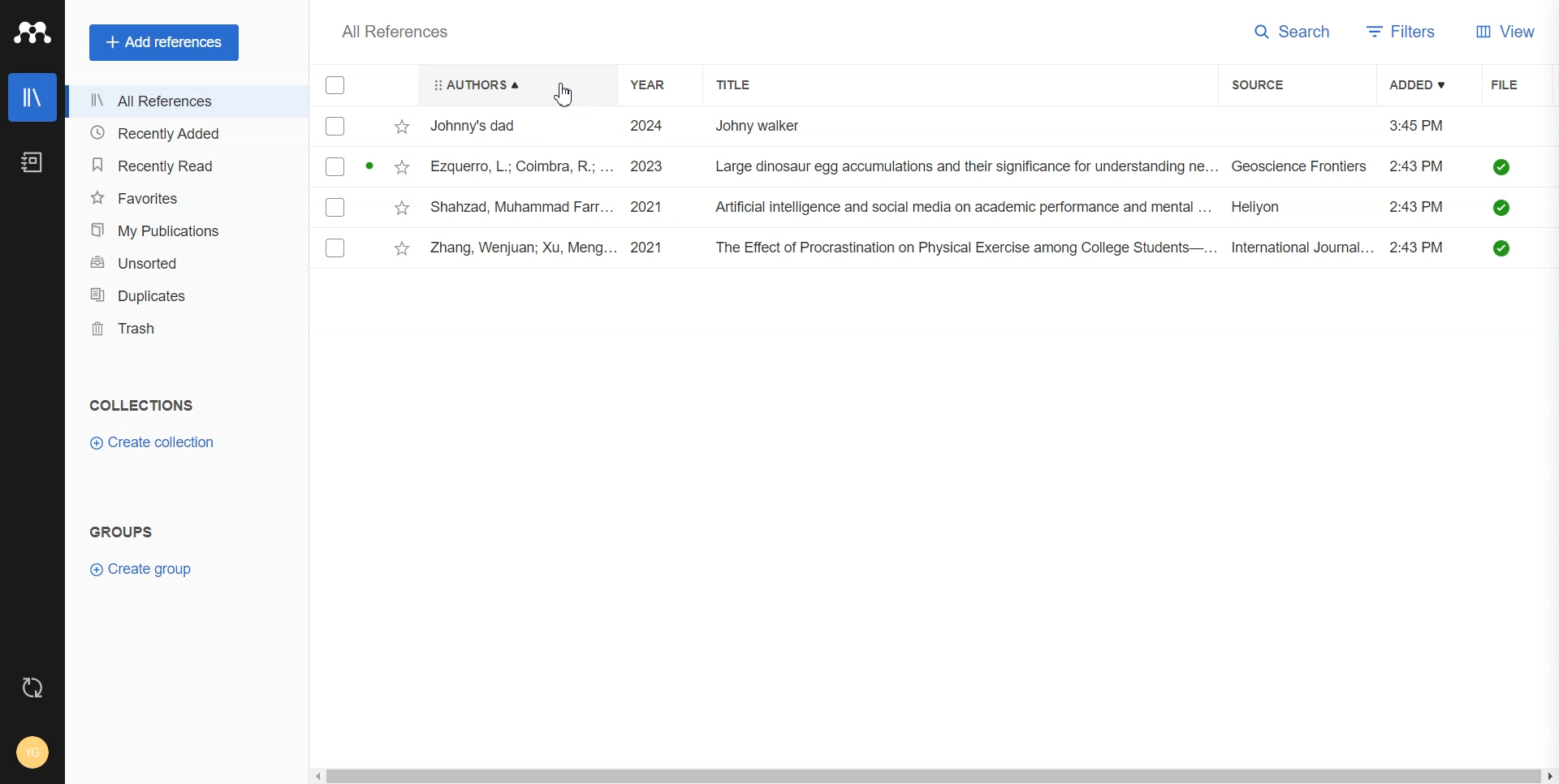 The image size is (1559, 784). I want to click on Authors, so click(516, 84).